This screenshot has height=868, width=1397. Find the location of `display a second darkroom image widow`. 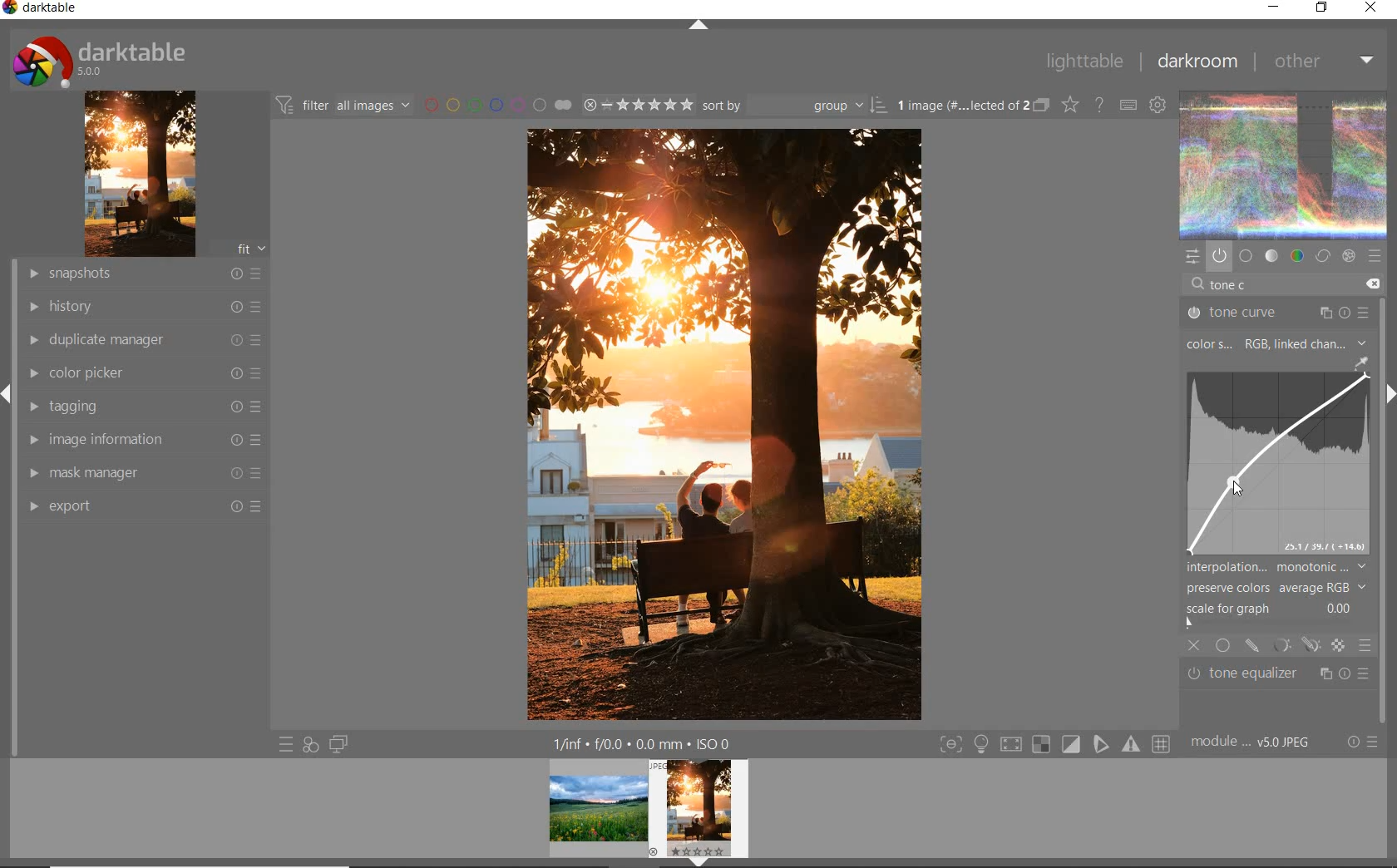

display a second darkroom image widow is located at coordinates (339, 744).